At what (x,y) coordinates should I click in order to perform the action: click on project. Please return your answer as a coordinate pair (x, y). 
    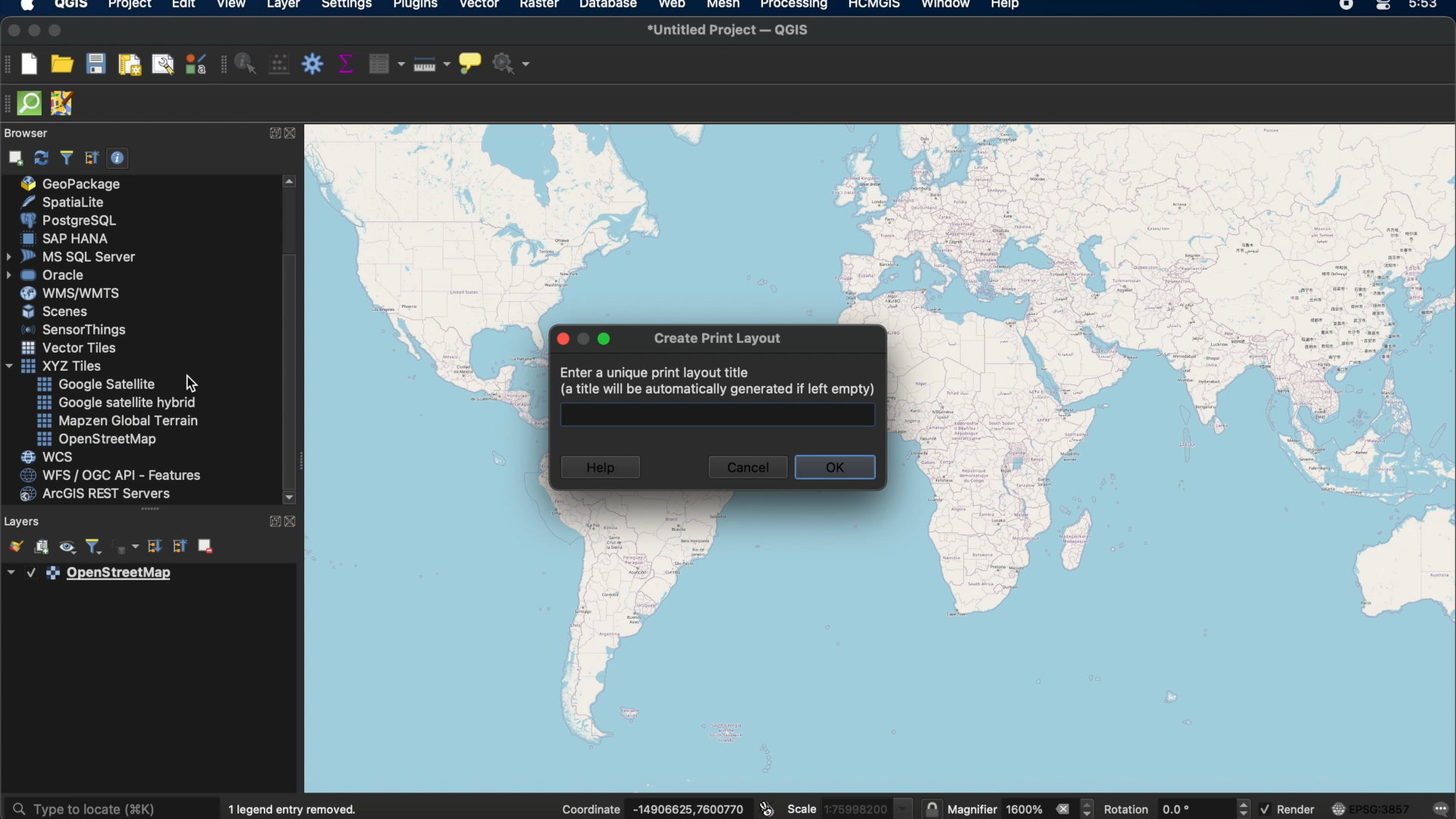
    Looking at the image, I should click on (129, 6).